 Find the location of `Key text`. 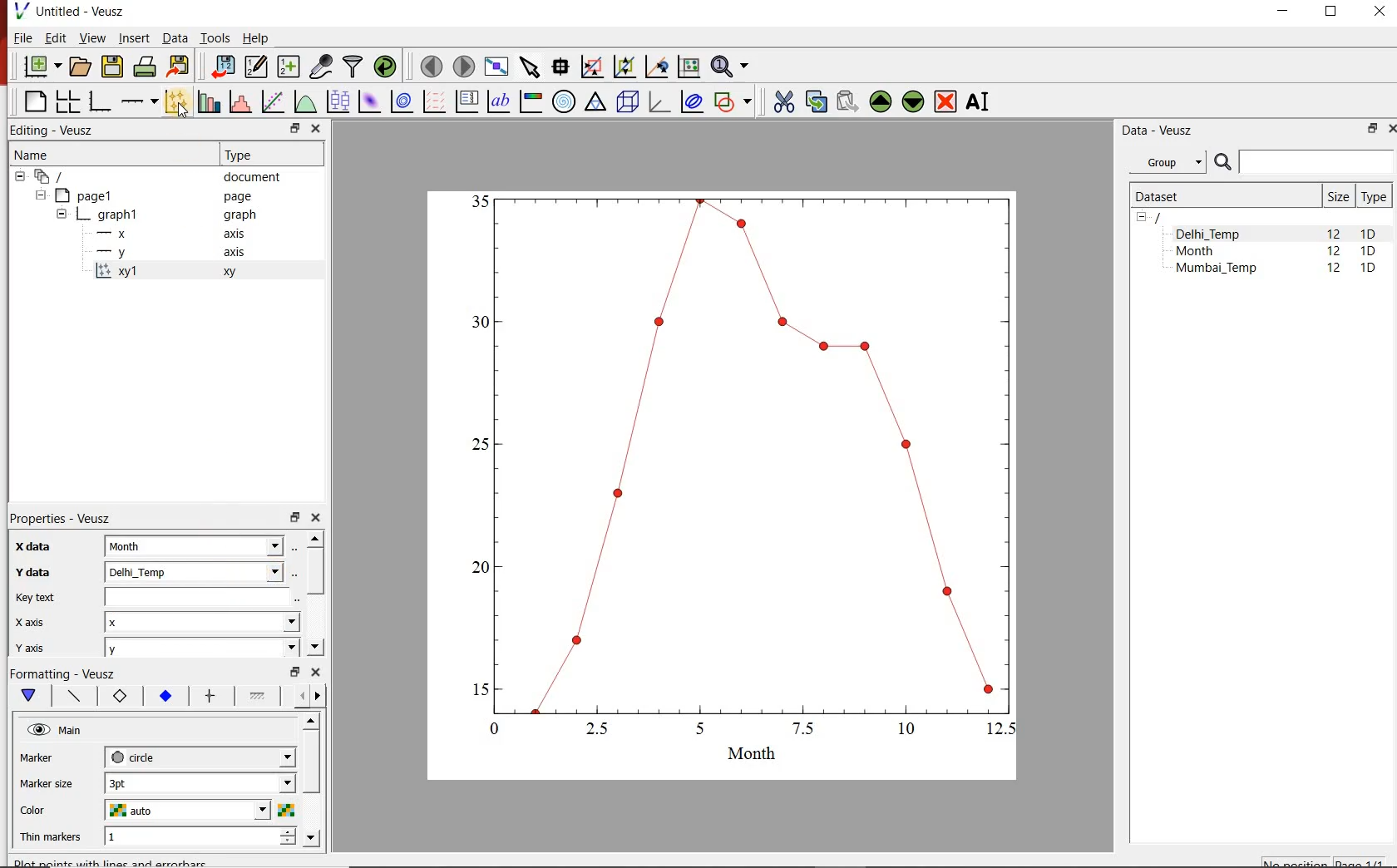

Key text is located at coordinates (34, 599).